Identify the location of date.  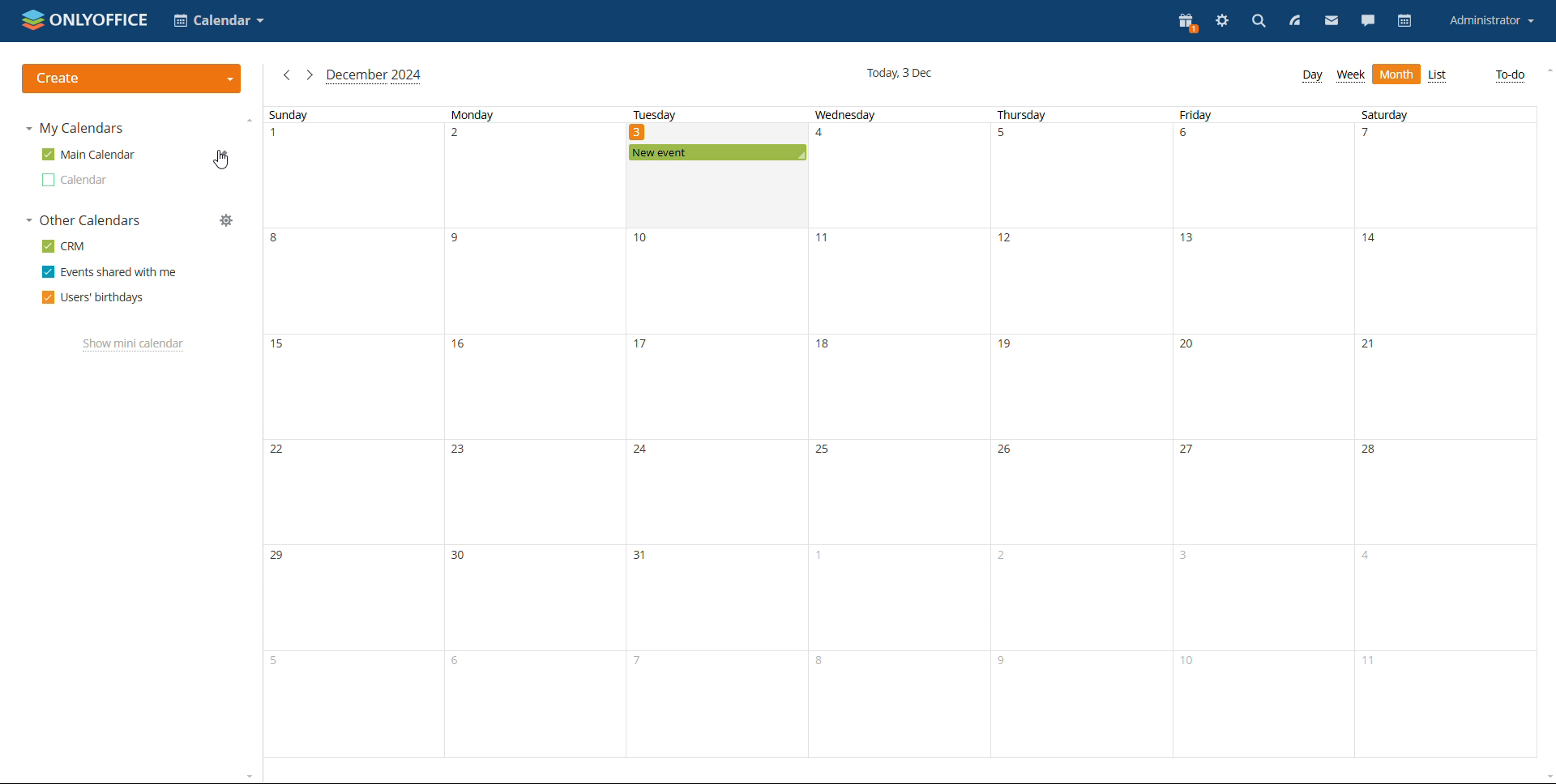
(1077, 282).